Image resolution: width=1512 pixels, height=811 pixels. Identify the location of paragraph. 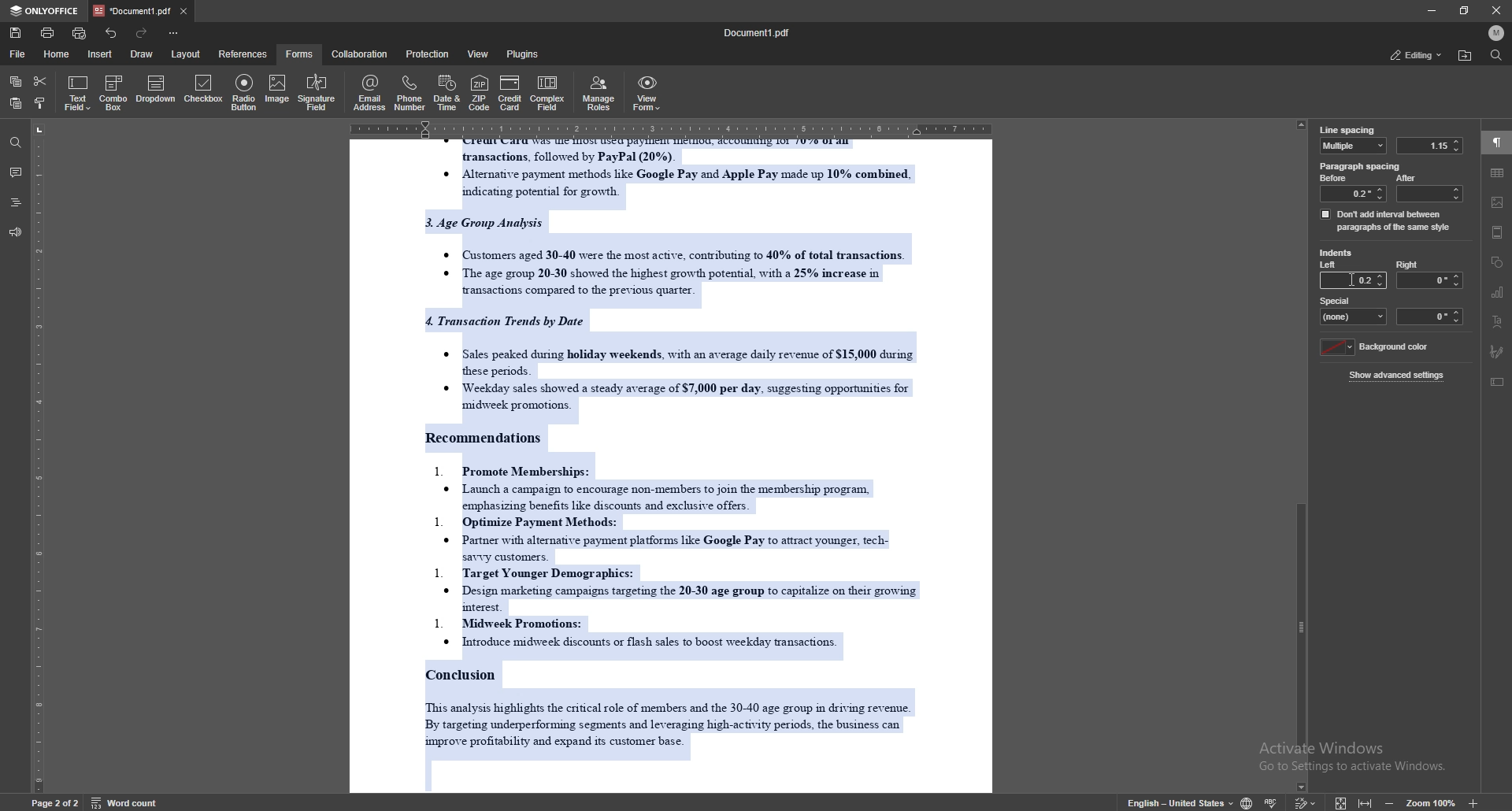
(1497, 143).